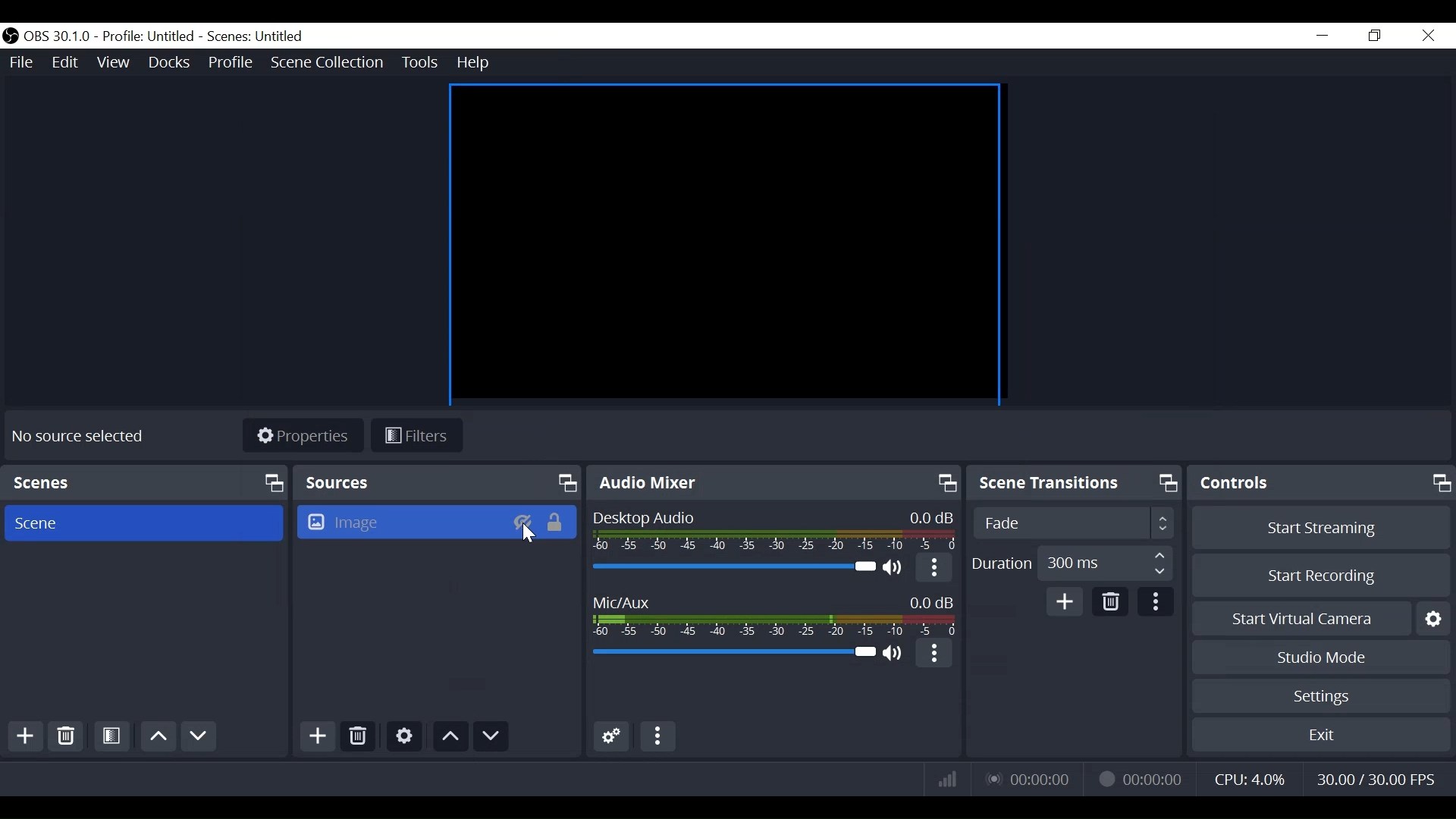 Image resolution: width=1456 pixels, height=819 pixels. I want to click on Tools, so click(419, 62).